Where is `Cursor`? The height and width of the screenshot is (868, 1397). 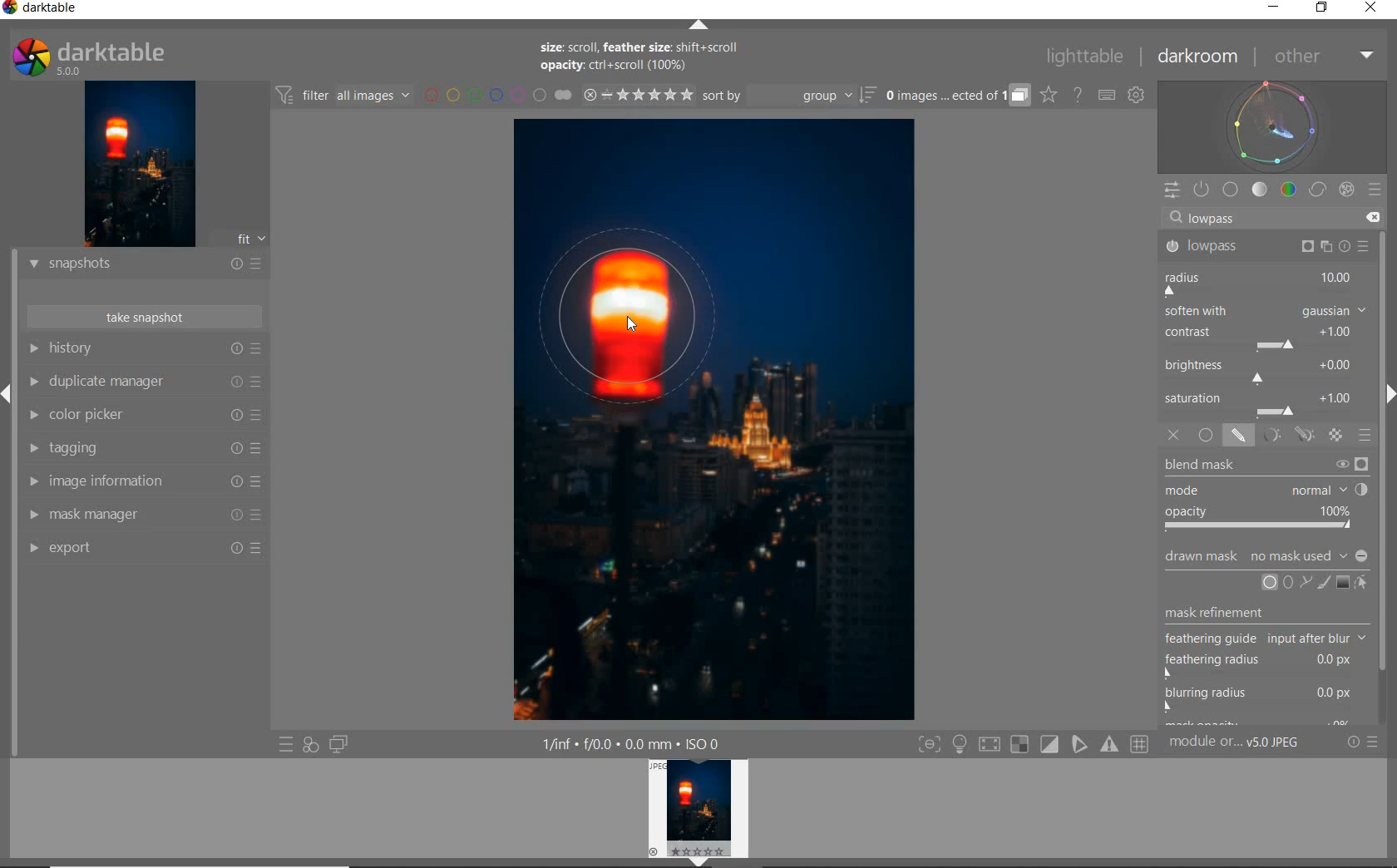
Cursor is located at coordinates (1280, 590).